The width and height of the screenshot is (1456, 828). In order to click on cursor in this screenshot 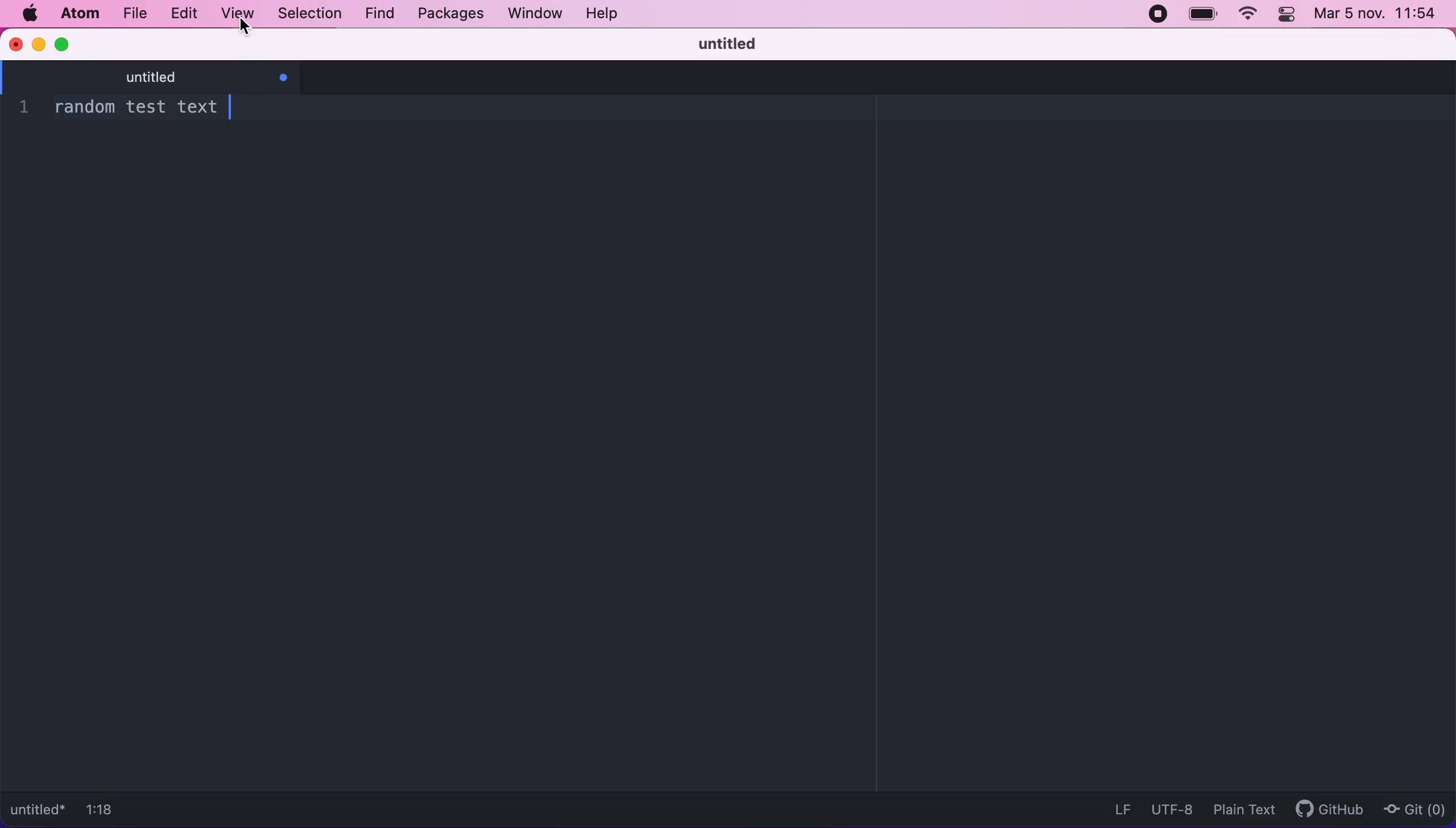, I will do `click(248, 34)`.